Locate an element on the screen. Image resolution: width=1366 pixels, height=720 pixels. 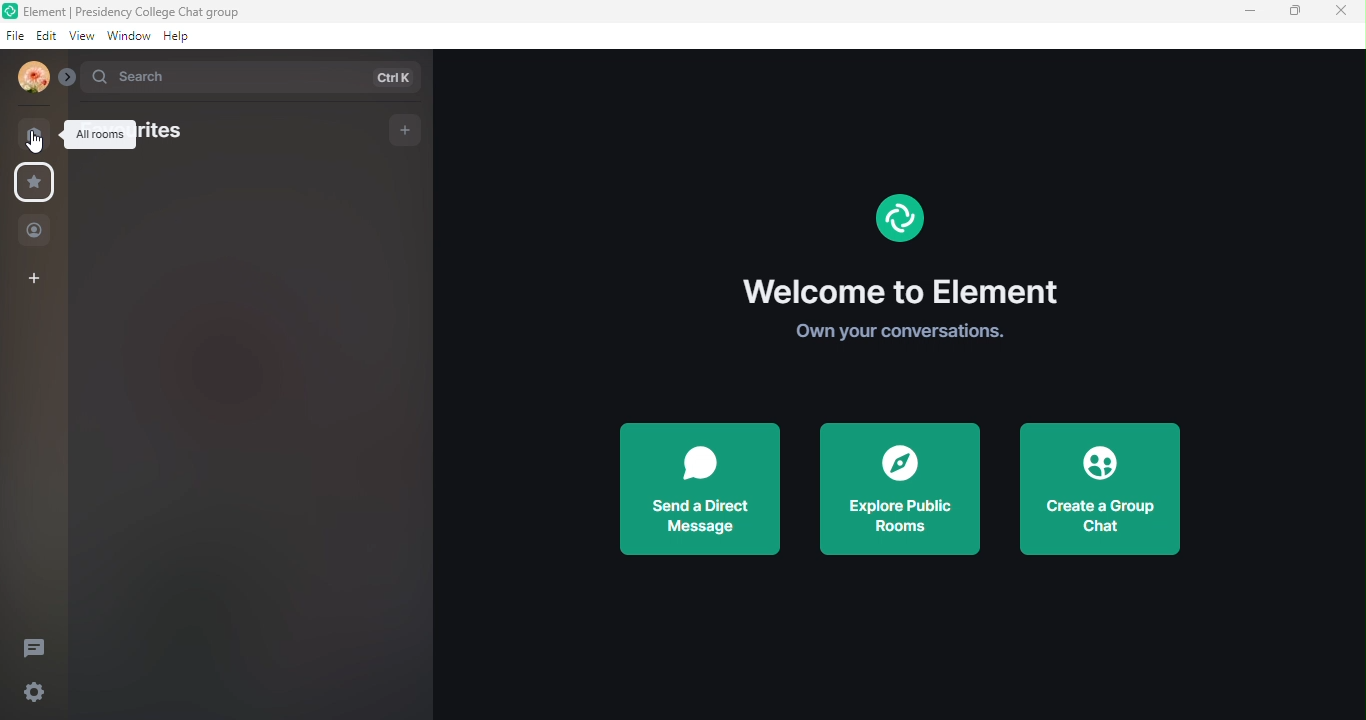
explore public rooms is located at coordinates (902, 488).